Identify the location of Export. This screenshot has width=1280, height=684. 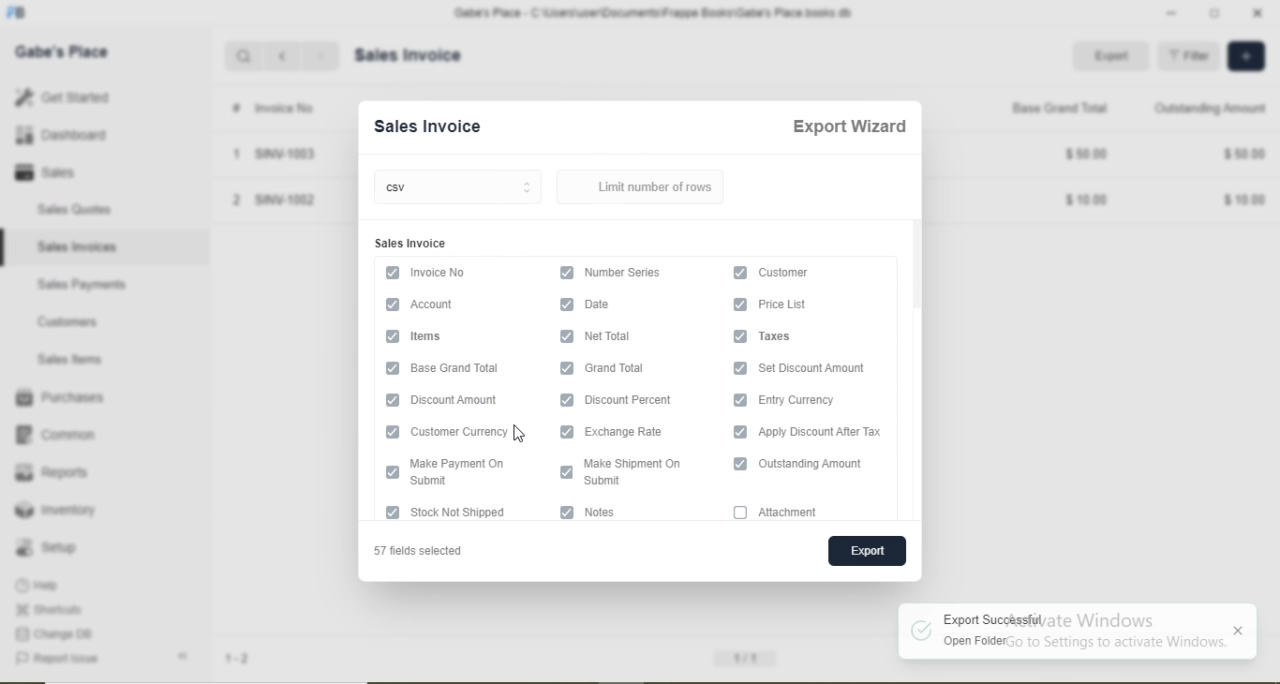
(1116, 57).